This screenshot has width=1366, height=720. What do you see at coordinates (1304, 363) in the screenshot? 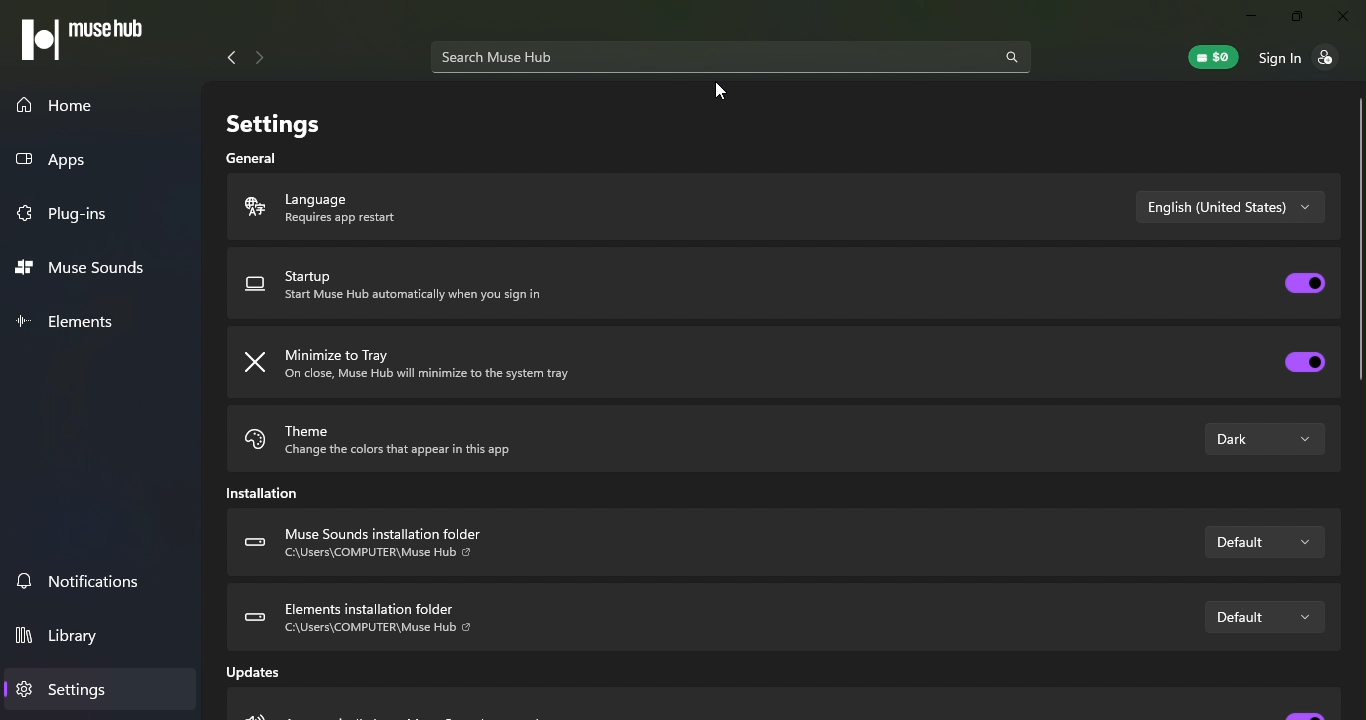
I see `Toggle minimize to tray` at bounding box center [1304, 363].